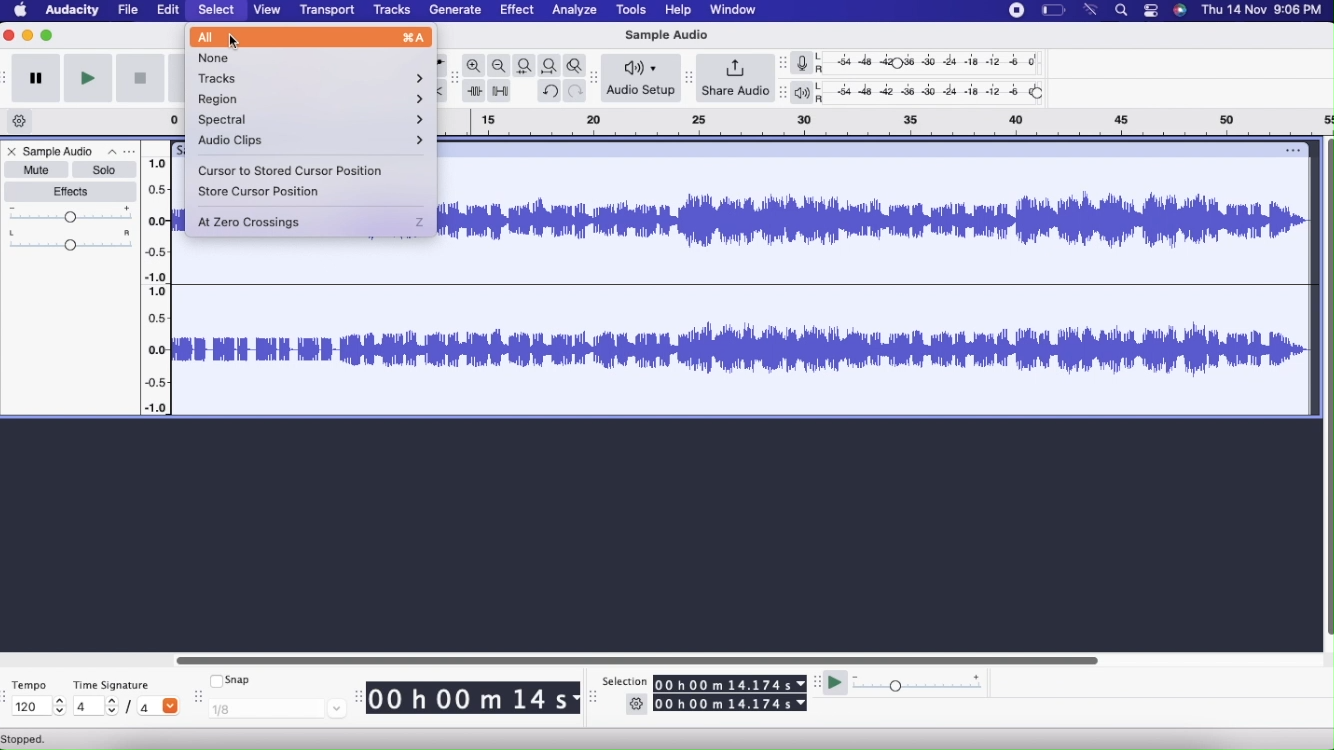  I want to click on Generate, so click(456, 11).